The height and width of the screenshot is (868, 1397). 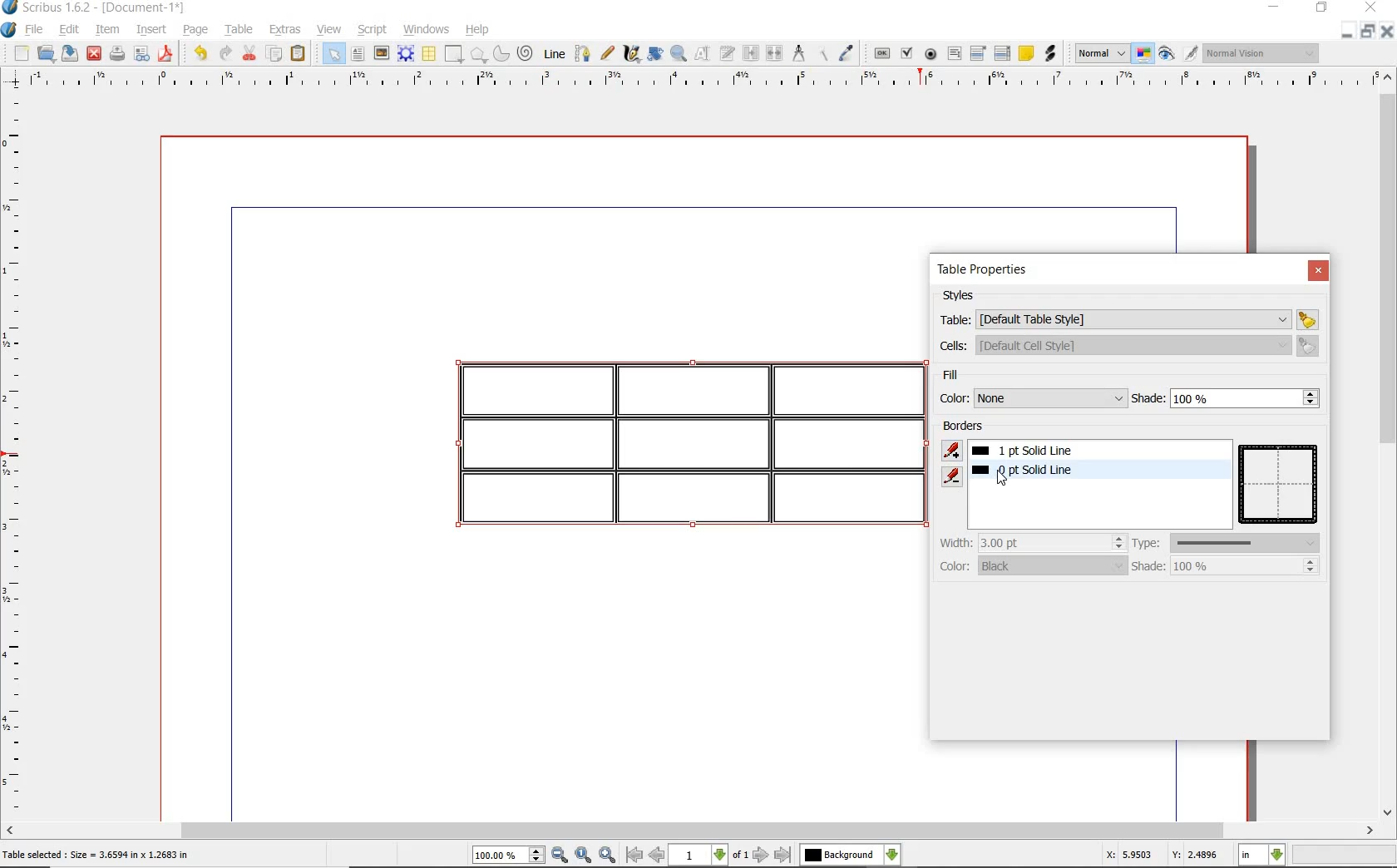 What do you see at coordinates (1348, 31) in the screenshot?
I see `MINIMIZE` at bounding box center [1348, 31].